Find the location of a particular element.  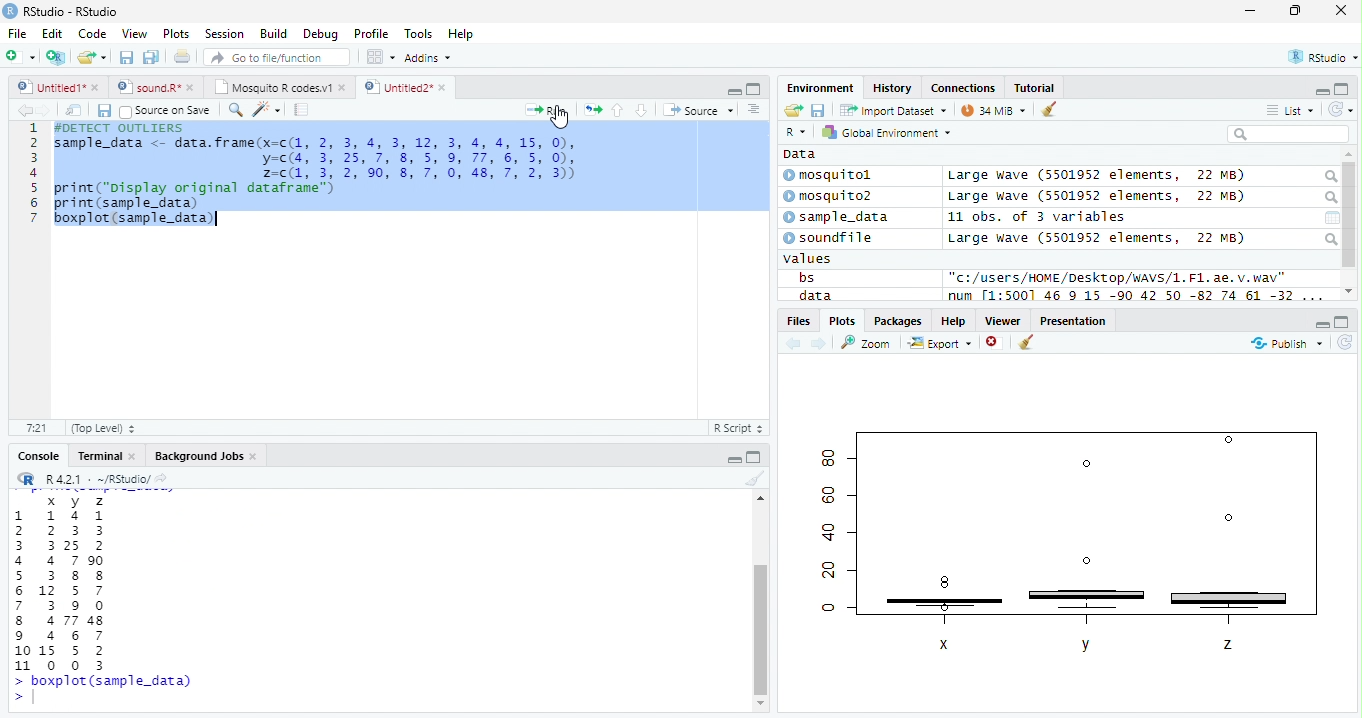

Large wave (5501952 elements, 22 MB) is located at coordinates (1096, 176).